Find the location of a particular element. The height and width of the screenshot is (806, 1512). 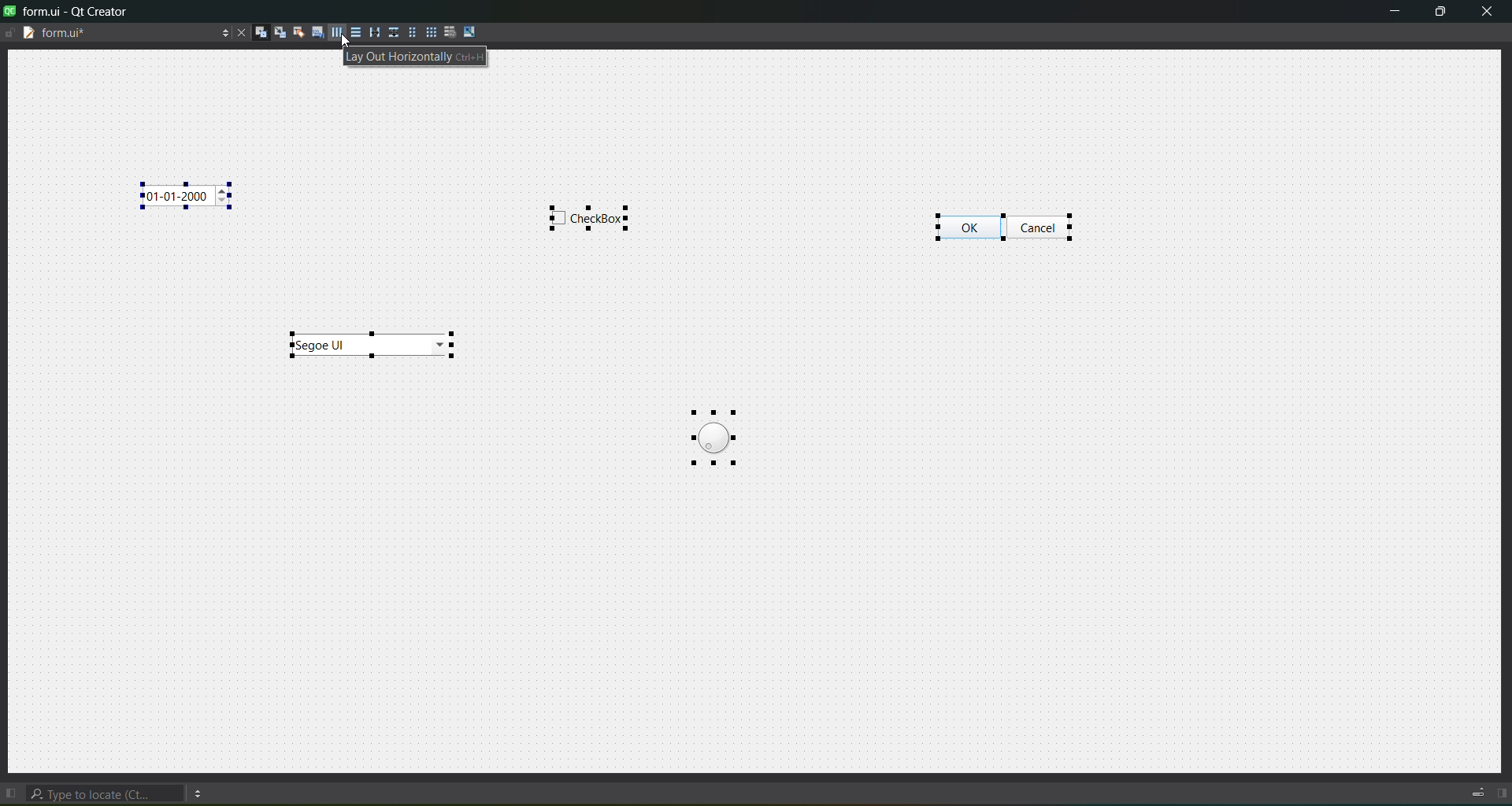

tab orders is located at coordinates (313, 32).